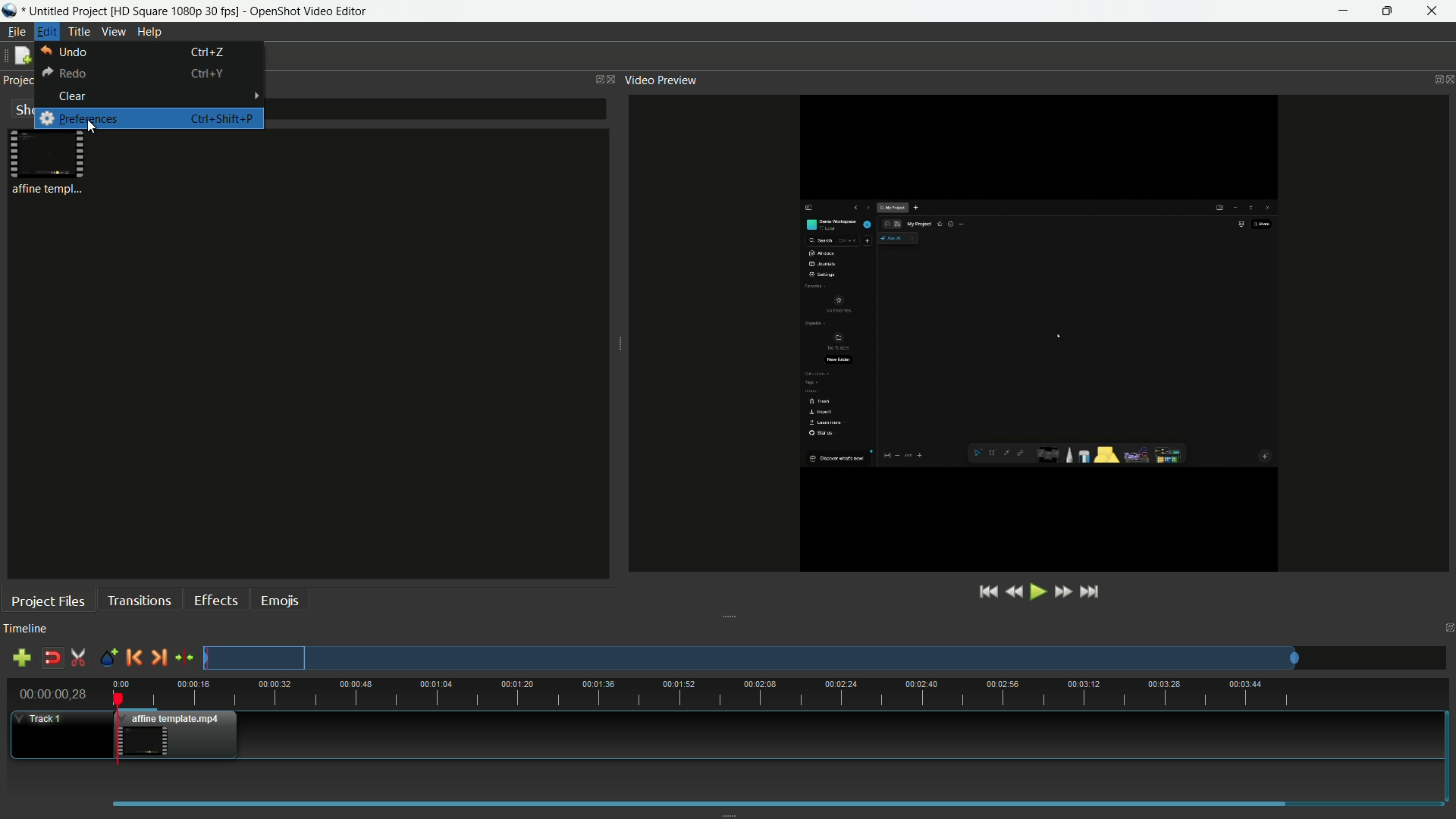 This screenshot has height=819, width=1456. I want to click on keyboard shortcut, so click(209, 52).